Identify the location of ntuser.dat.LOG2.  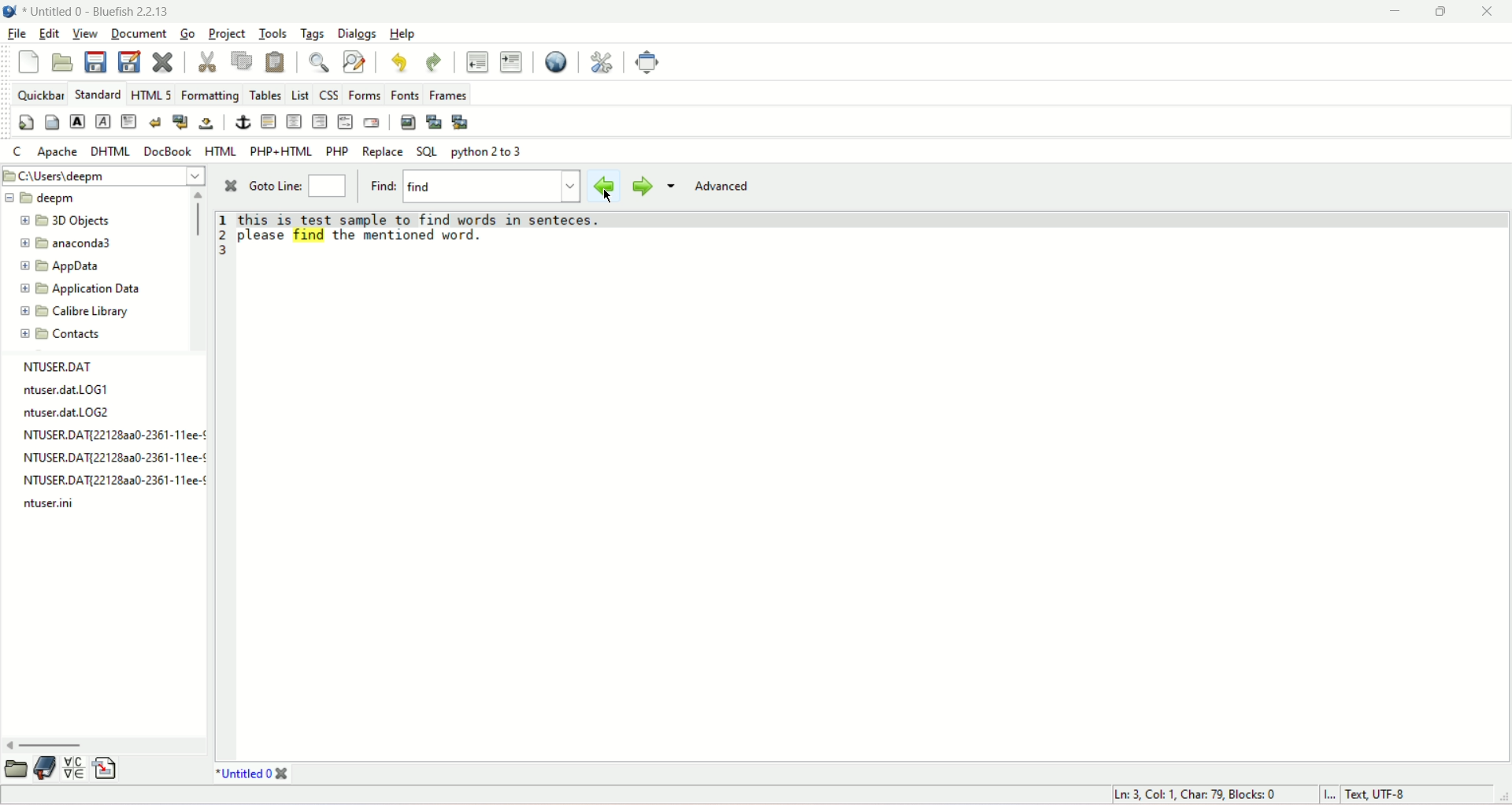
(75, 414).